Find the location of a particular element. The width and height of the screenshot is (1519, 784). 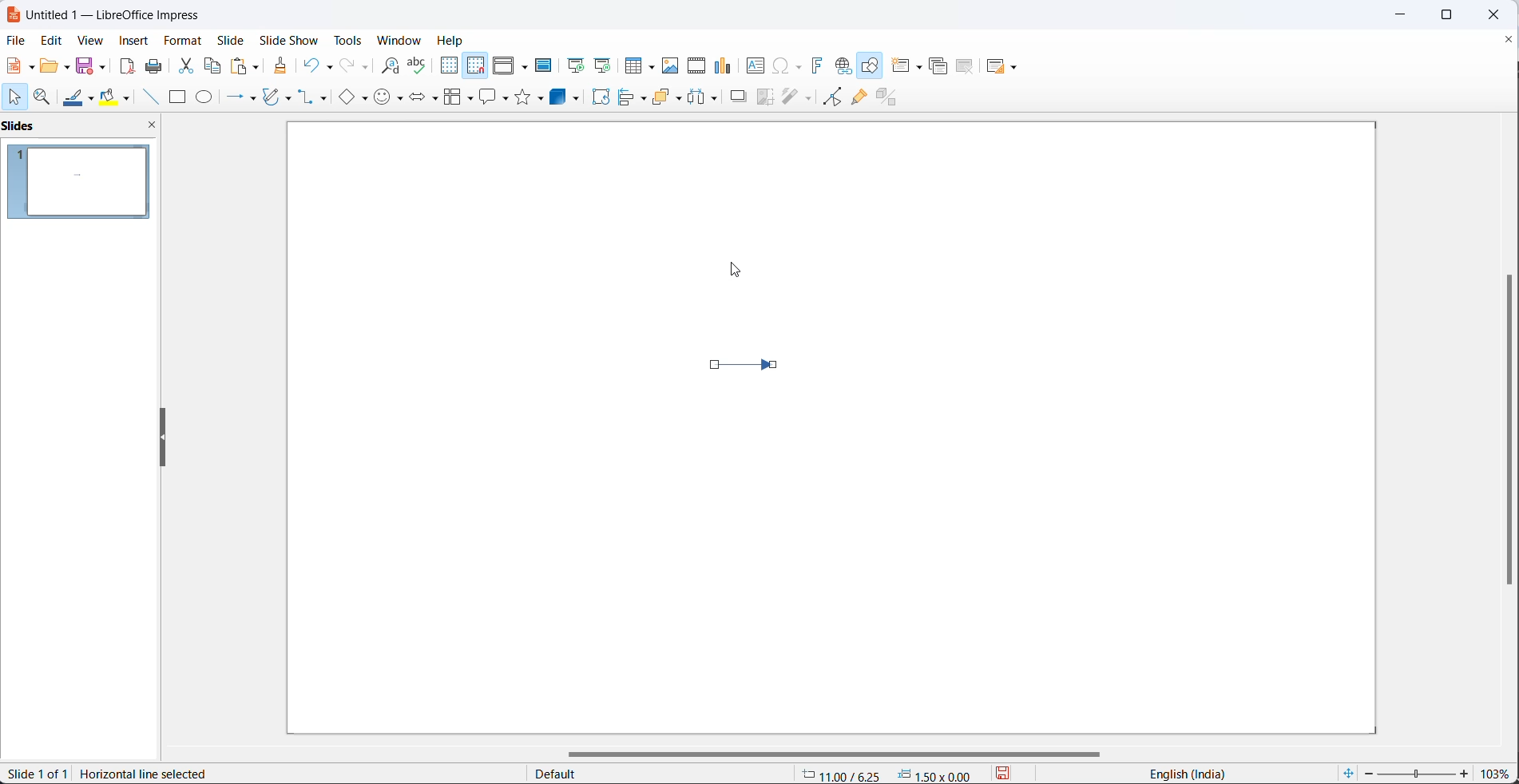

slide show is located at coordinates (286, 41).